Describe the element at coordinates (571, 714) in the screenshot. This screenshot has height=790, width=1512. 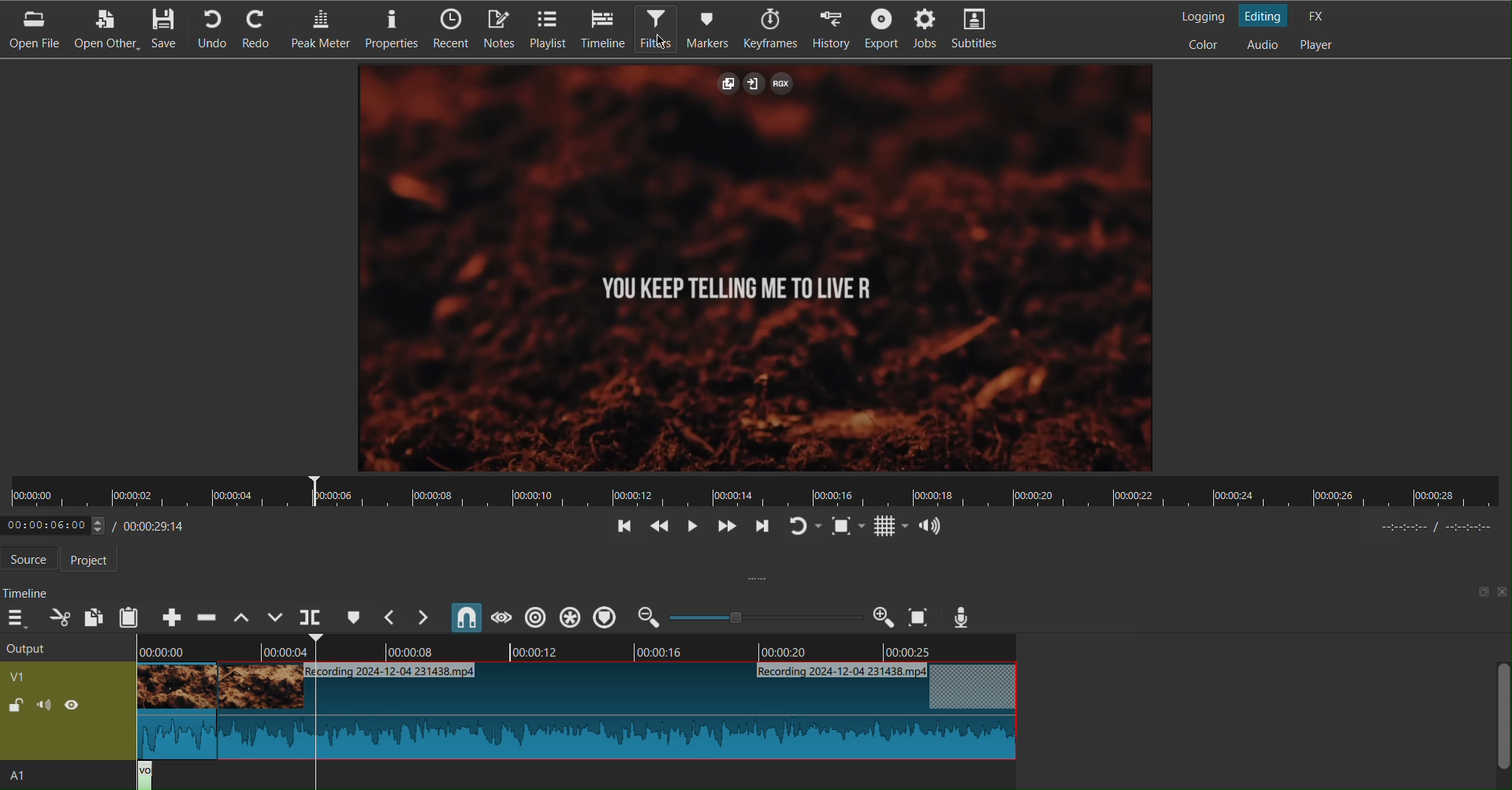
I see `Clip` at that location.